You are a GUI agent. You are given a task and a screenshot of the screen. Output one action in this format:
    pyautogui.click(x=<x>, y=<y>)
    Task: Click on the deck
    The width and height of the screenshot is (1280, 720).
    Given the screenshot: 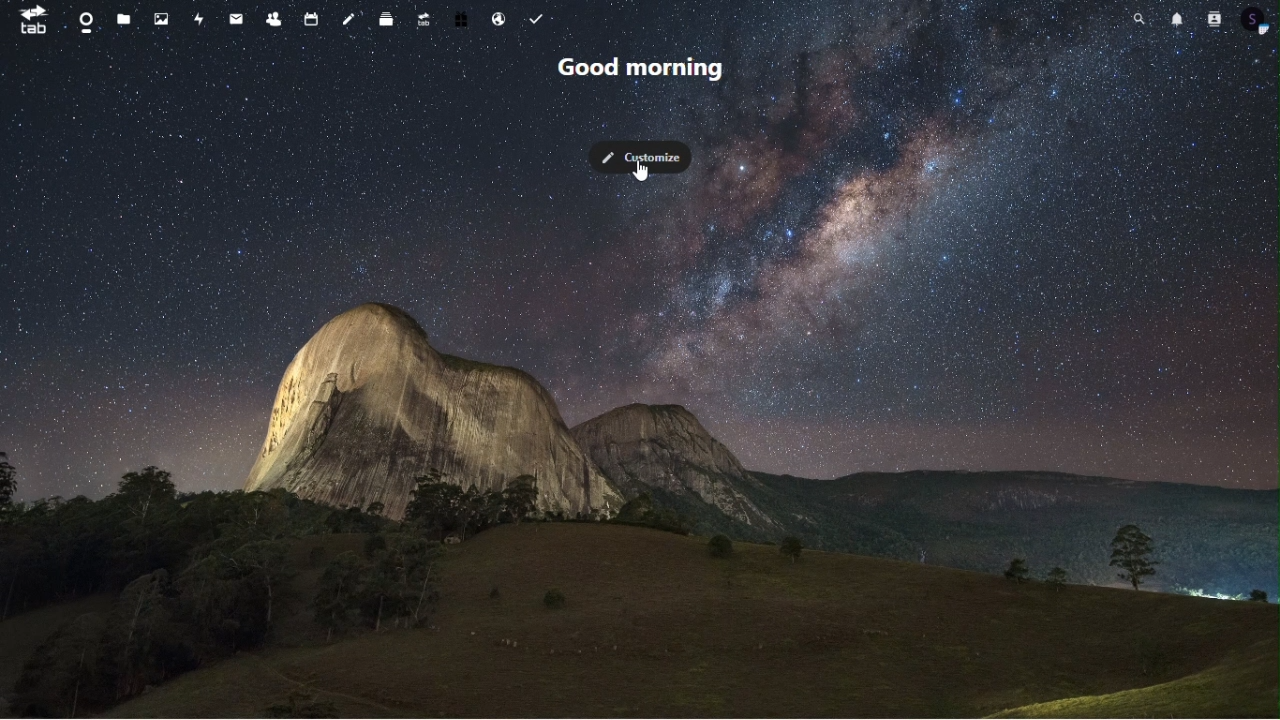 What is the action you would take?
    pyautogui.click(x=385, y=18)
    